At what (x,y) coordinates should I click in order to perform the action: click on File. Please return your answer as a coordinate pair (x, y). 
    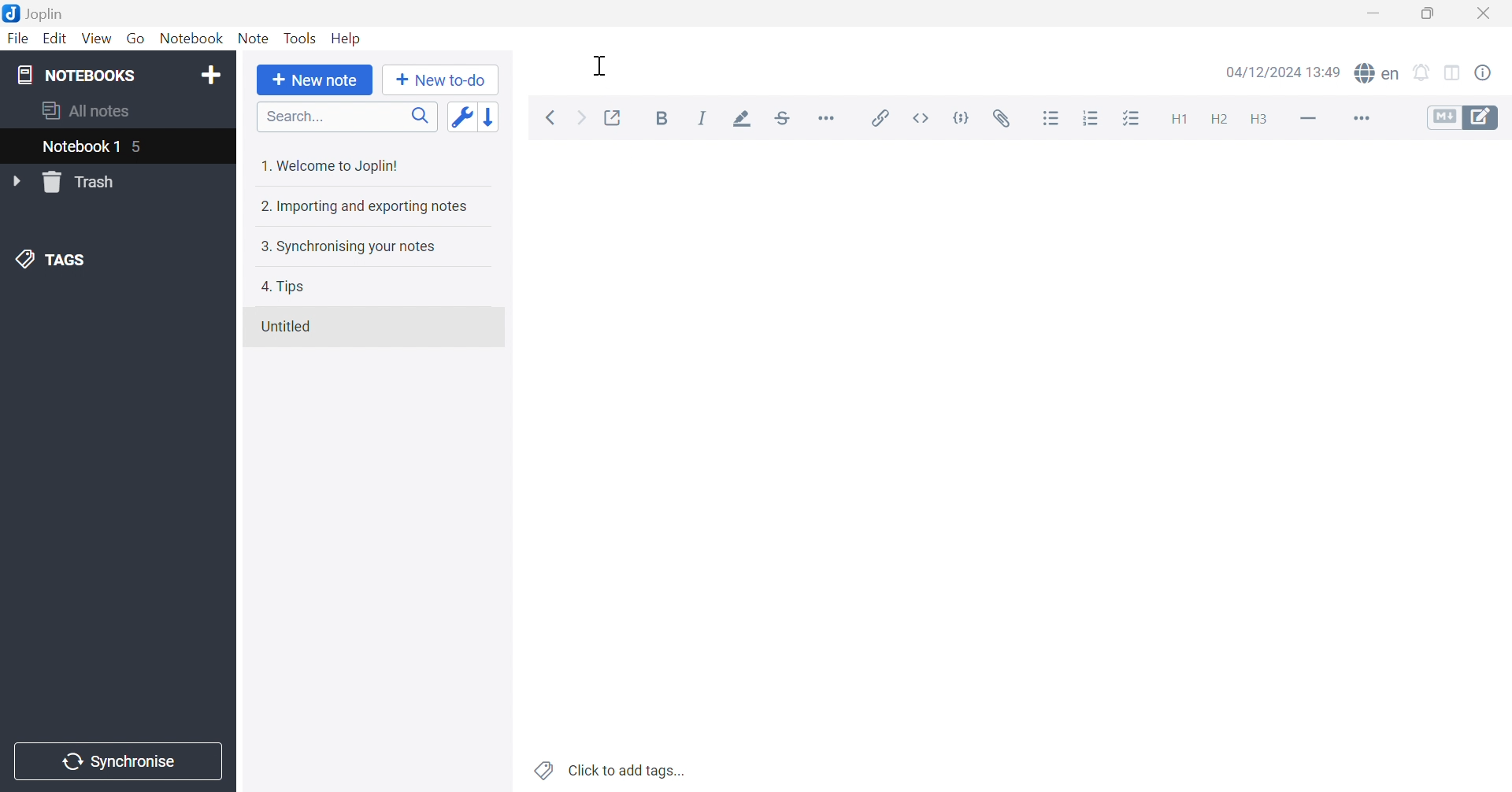
    Looking at the image, I should click on (18, 40).